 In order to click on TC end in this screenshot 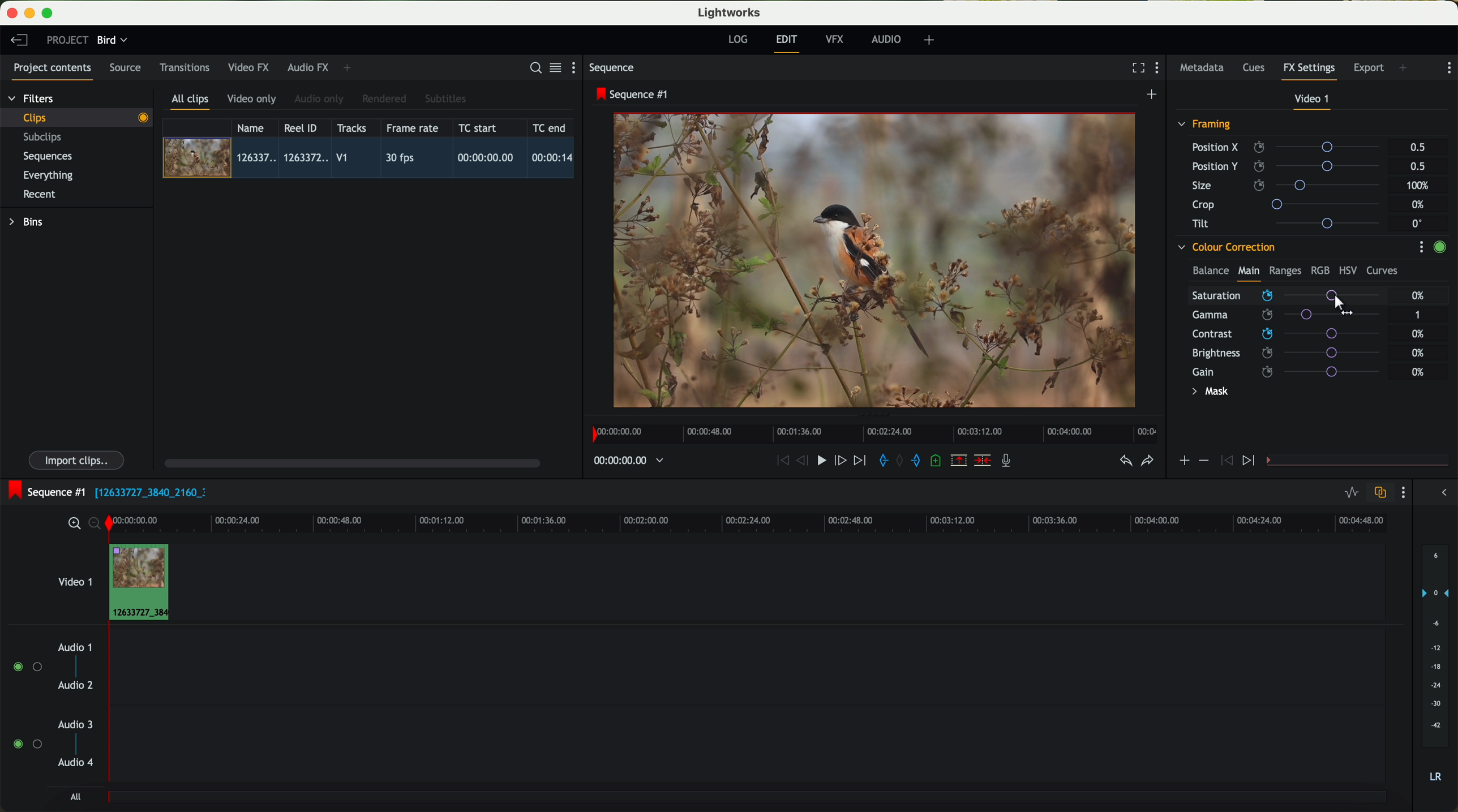, I will do `click(550, 127)`.